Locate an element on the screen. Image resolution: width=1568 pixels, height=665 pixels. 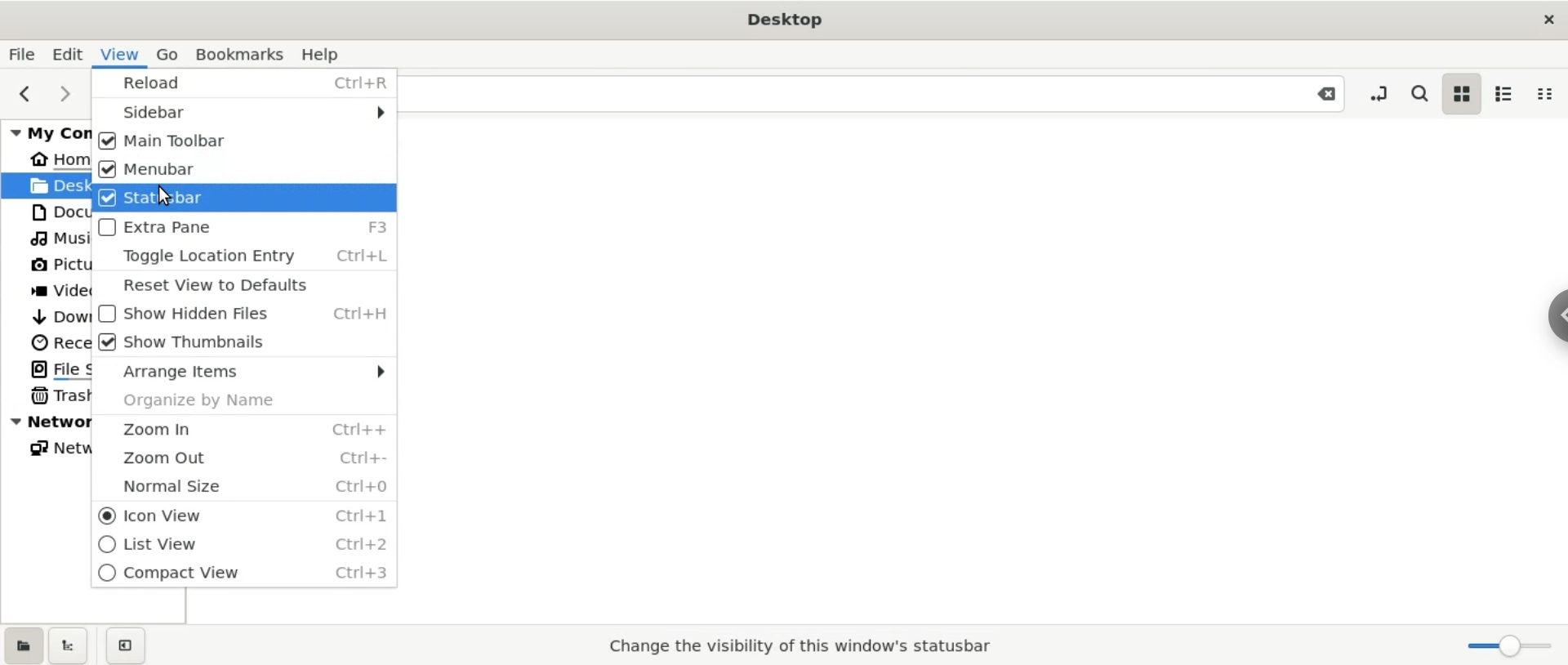
Normal Size is located at coordinates (243, 487).